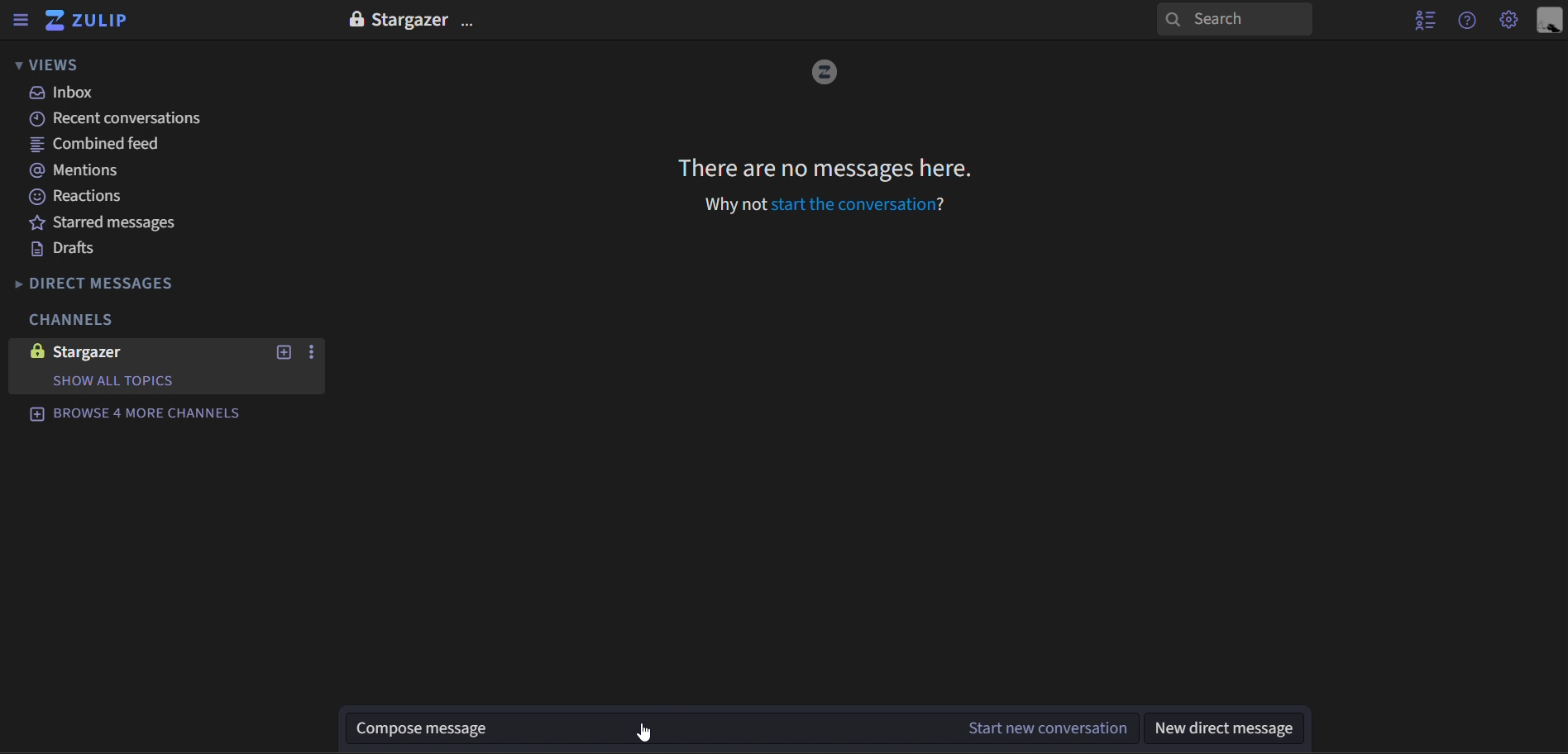  I want to click on direct messages, so click(92, 282).